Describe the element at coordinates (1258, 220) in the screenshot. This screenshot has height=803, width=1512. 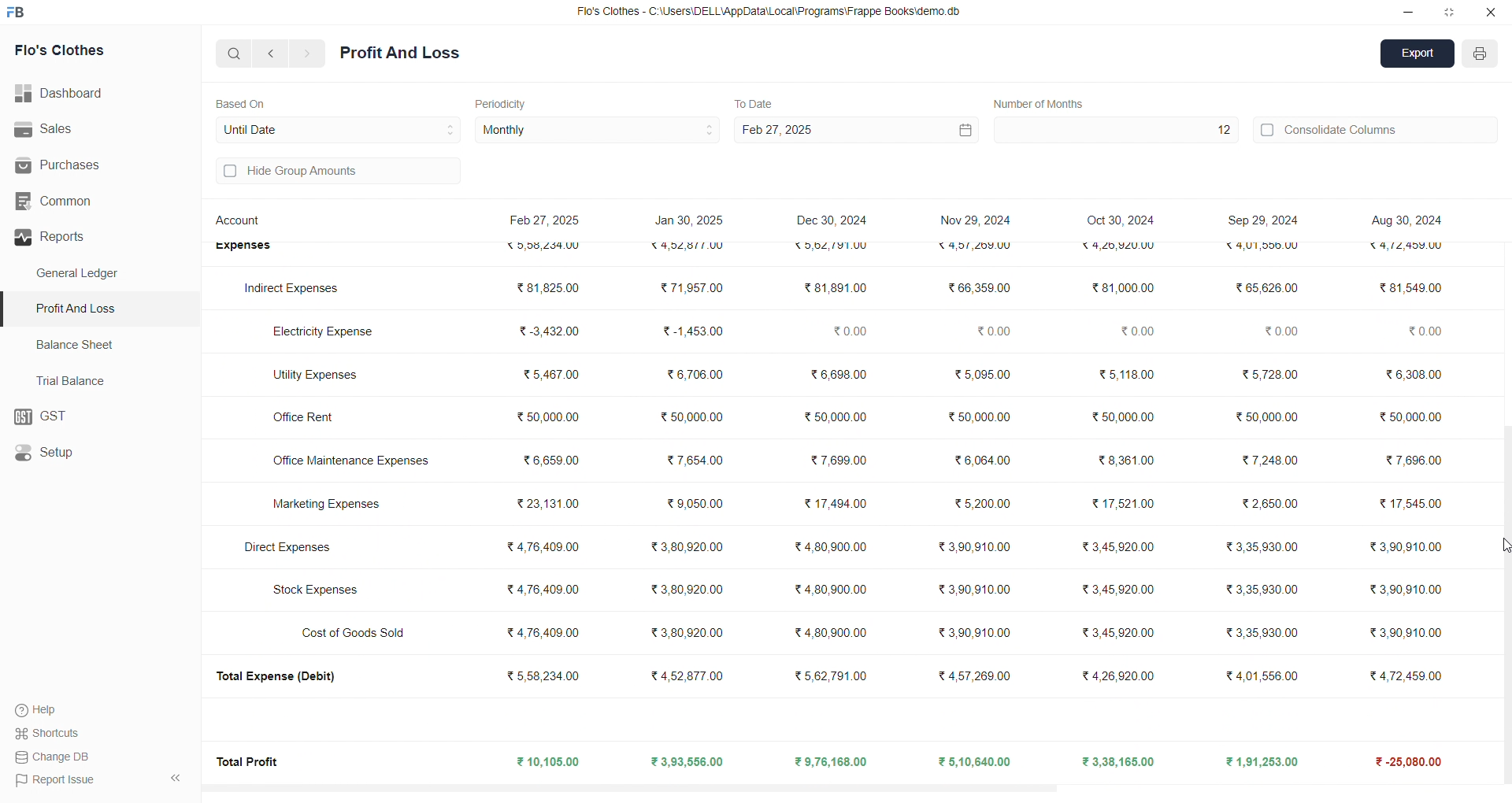
I see `Sep 29, 2024` at that location.